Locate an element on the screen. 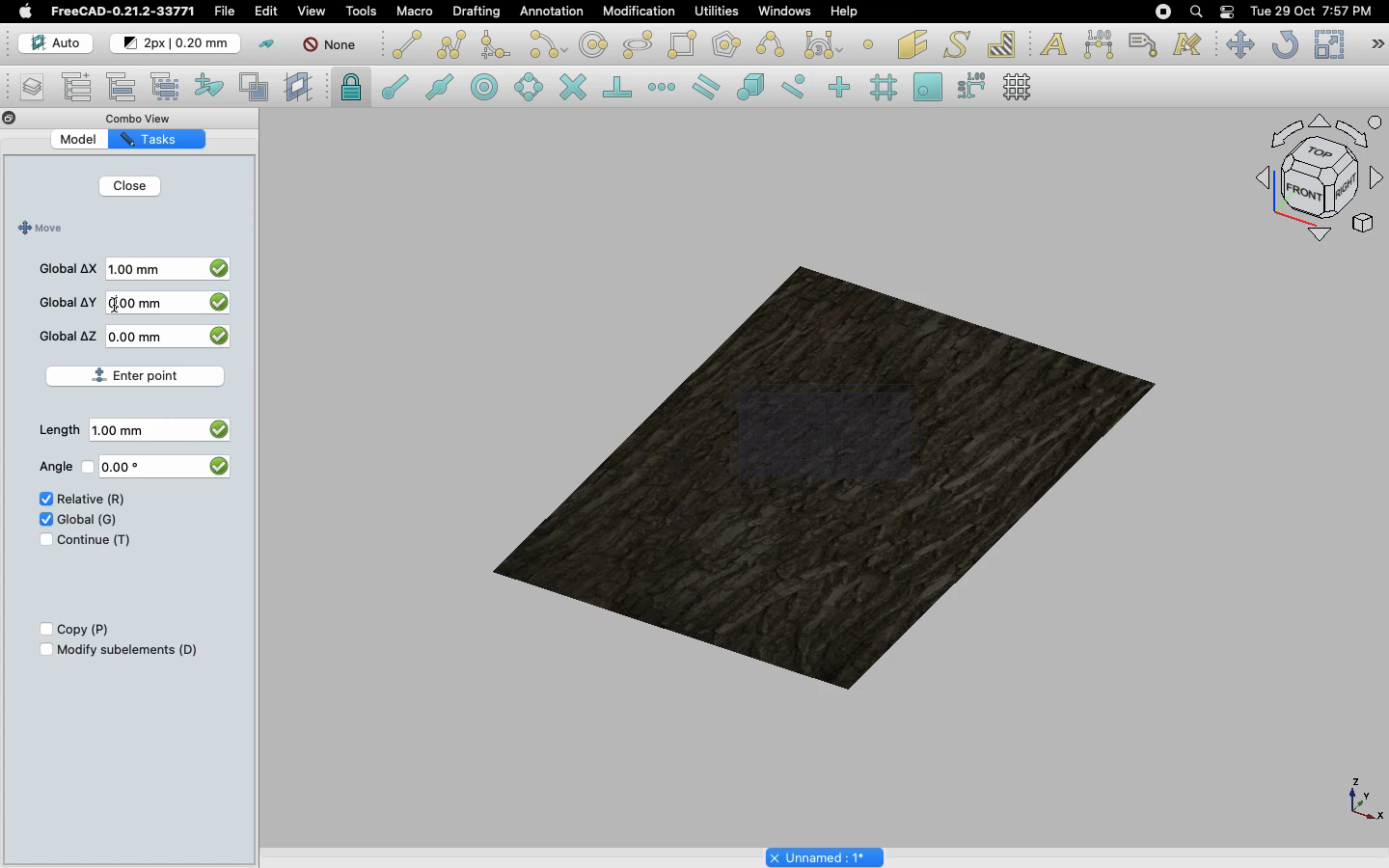  Arc tools is located at coordinates (547, 46).